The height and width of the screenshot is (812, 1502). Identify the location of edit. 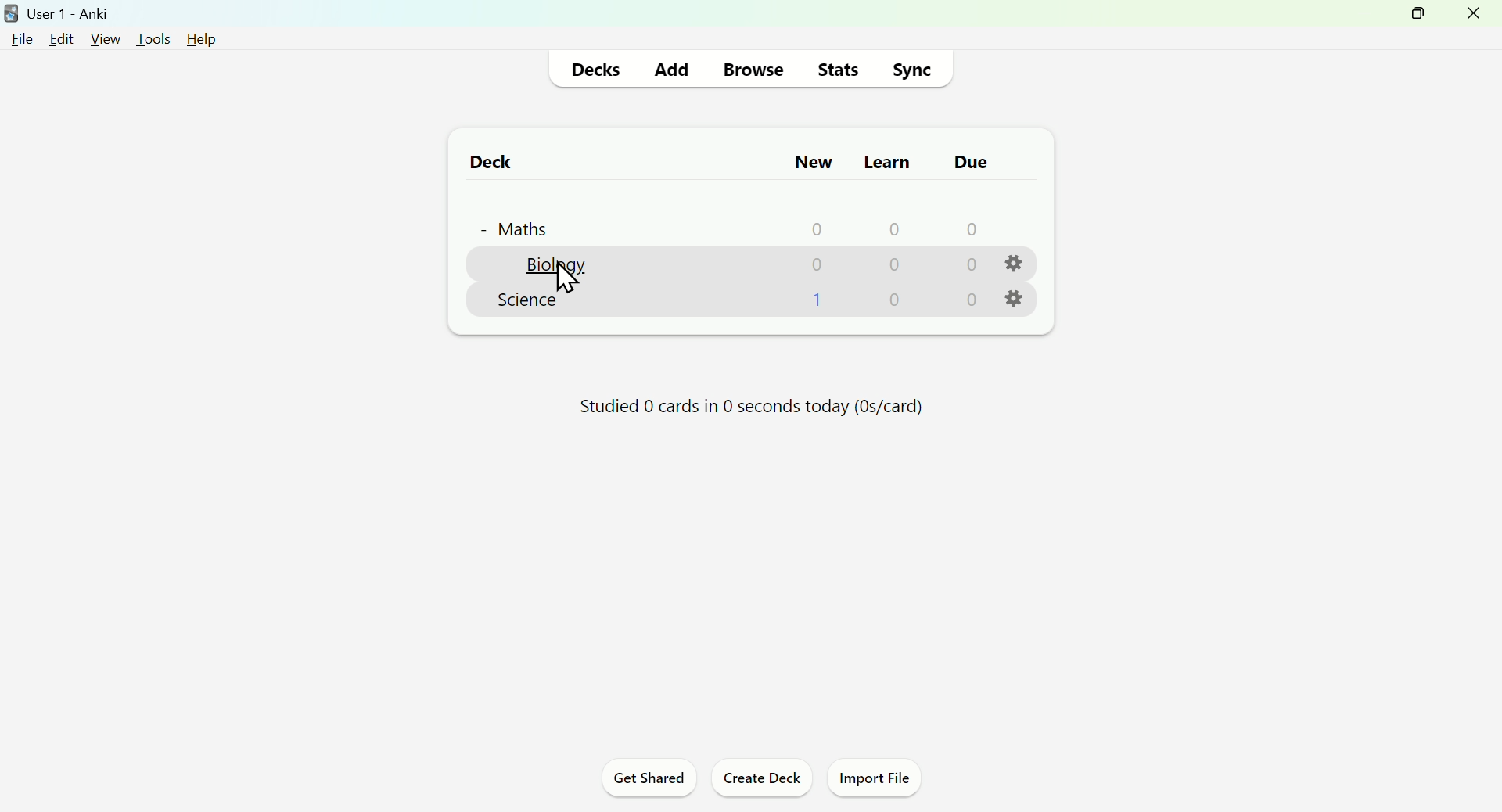
(62, 38).